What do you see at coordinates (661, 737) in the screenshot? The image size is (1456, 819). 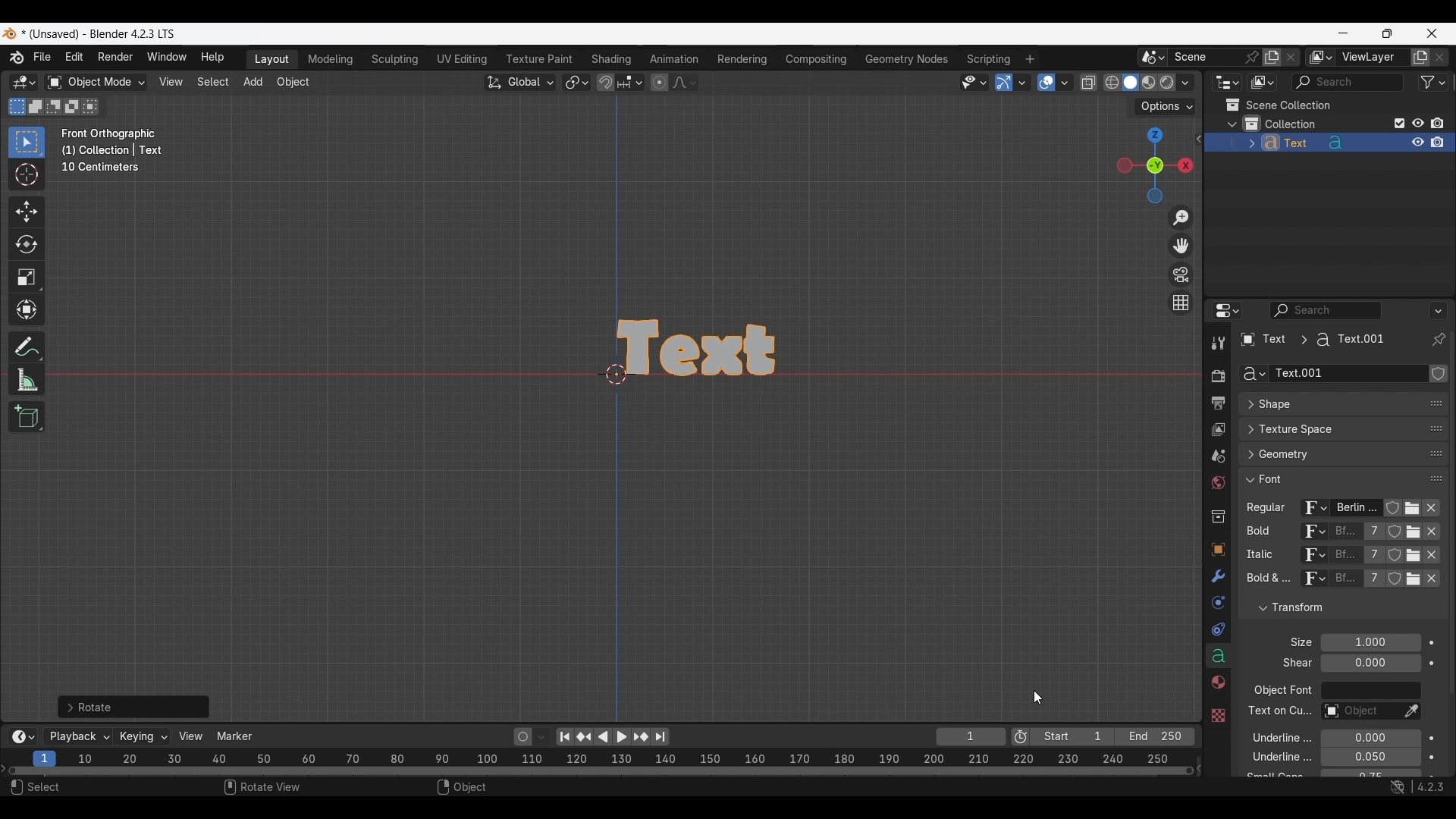 I see `Jump to end point` at bounding box center [661, 737].